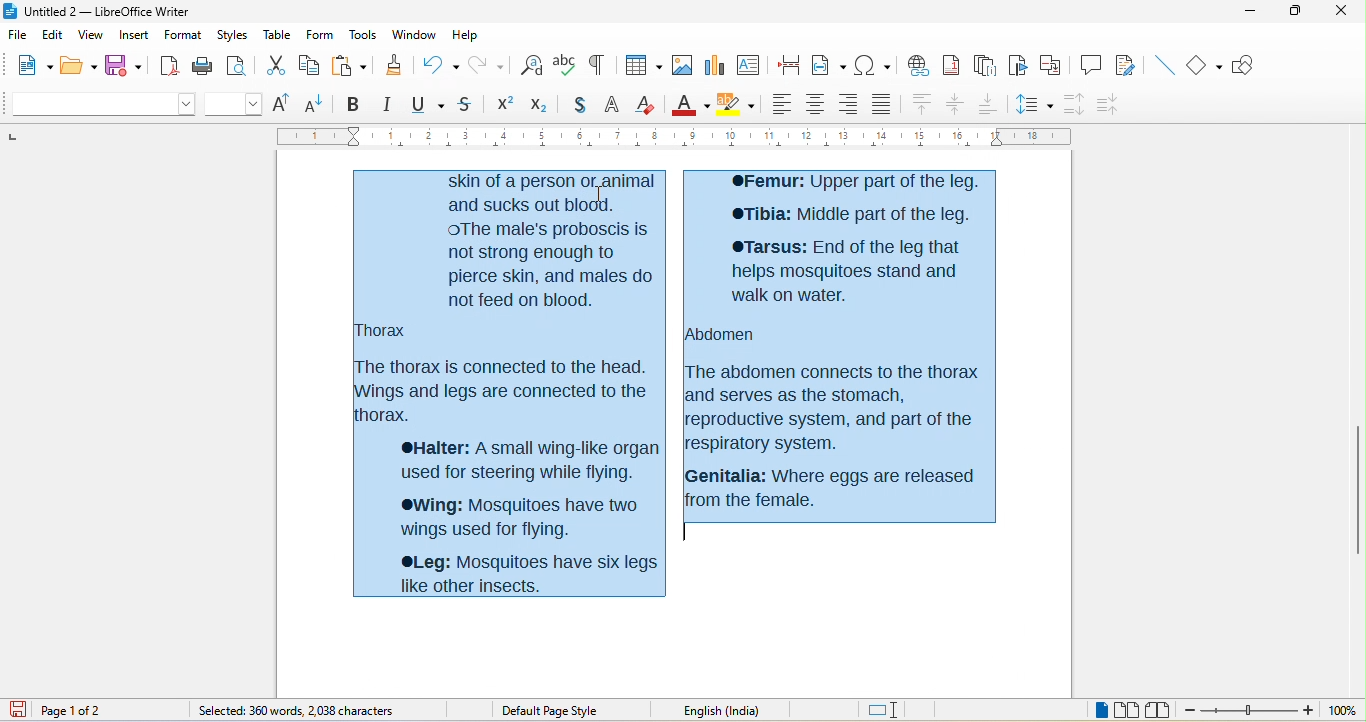 Image resolution: width=1366 pixels, height=722 pixels. What do you see at coordinates (273, 66) in the screenshot?
I see `cut` at bounding box center [273, 66].